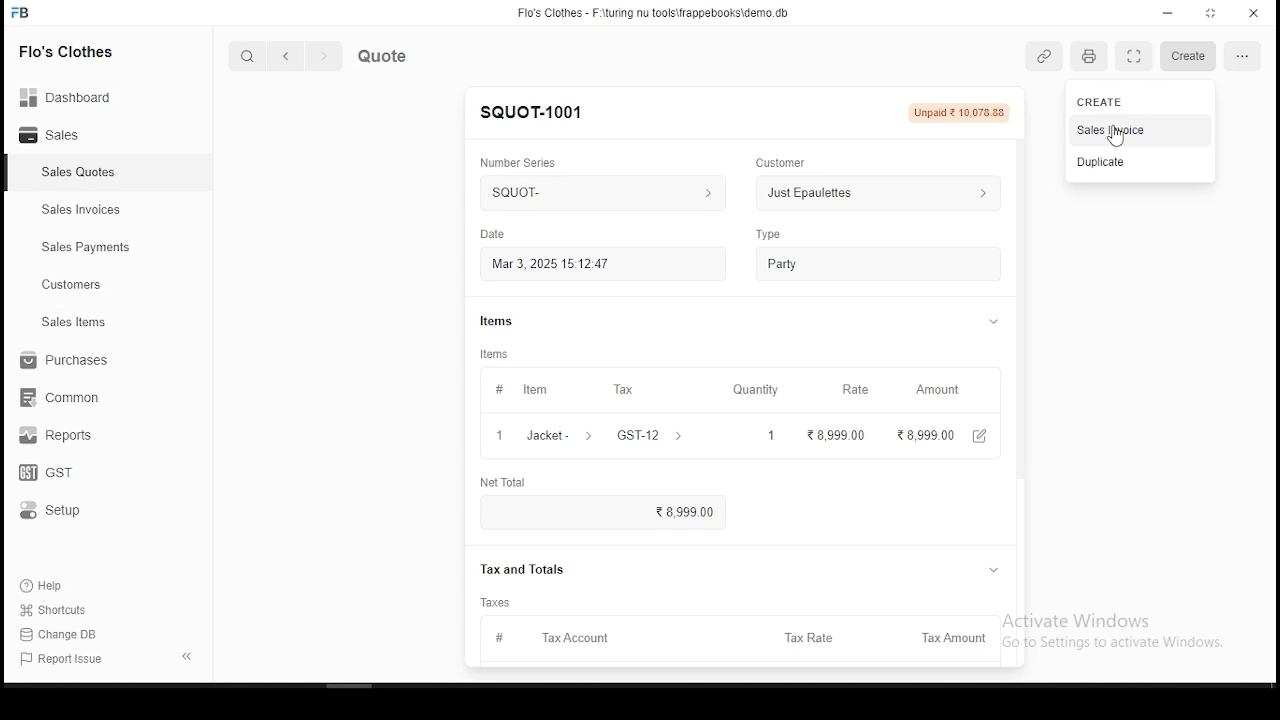 This screenshot has height=720, width=1280. I want to click on tax, so click(625, 388).